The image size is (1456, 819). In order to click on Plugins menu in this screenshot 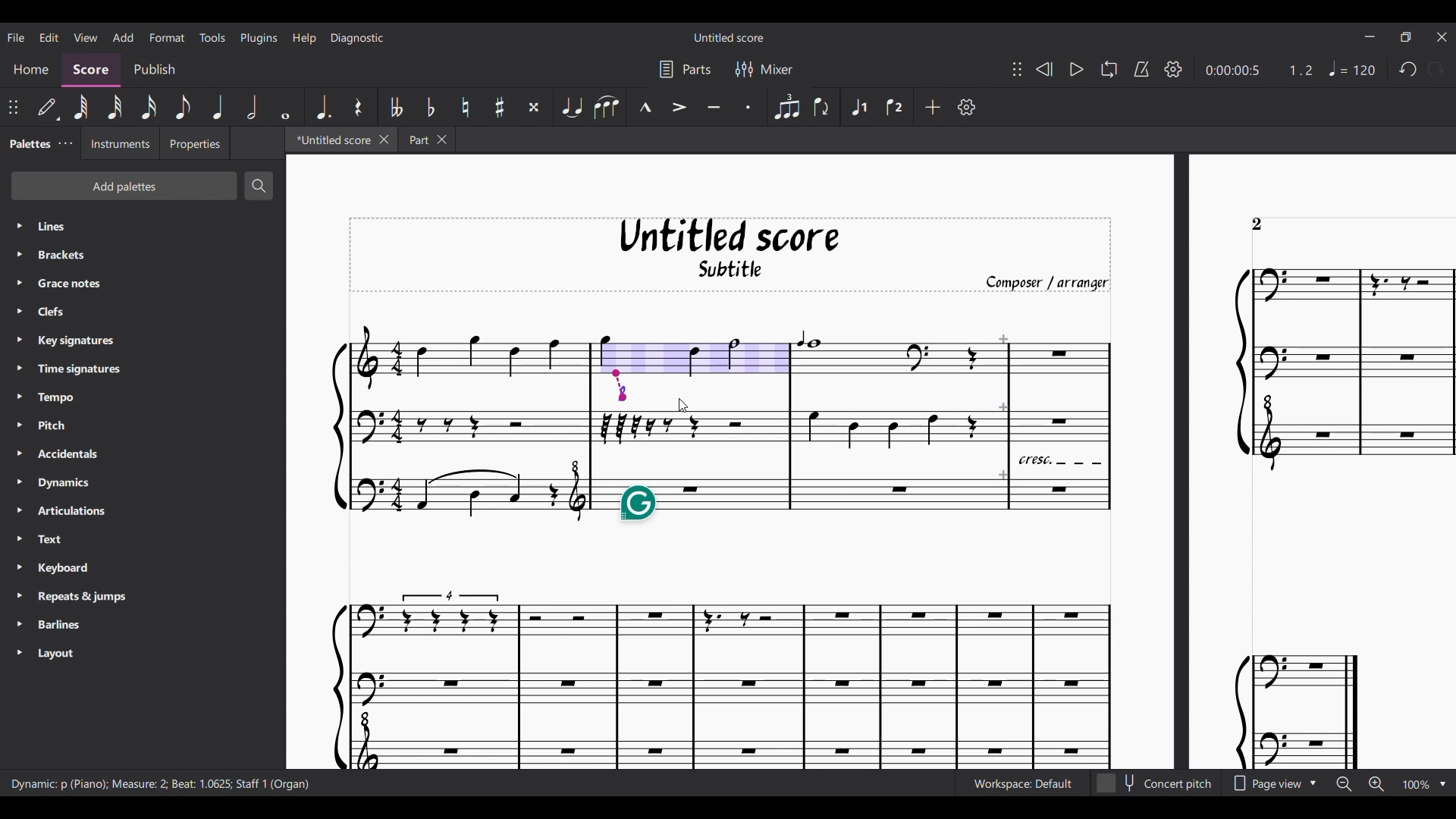, I will do `click(259, 38)`.